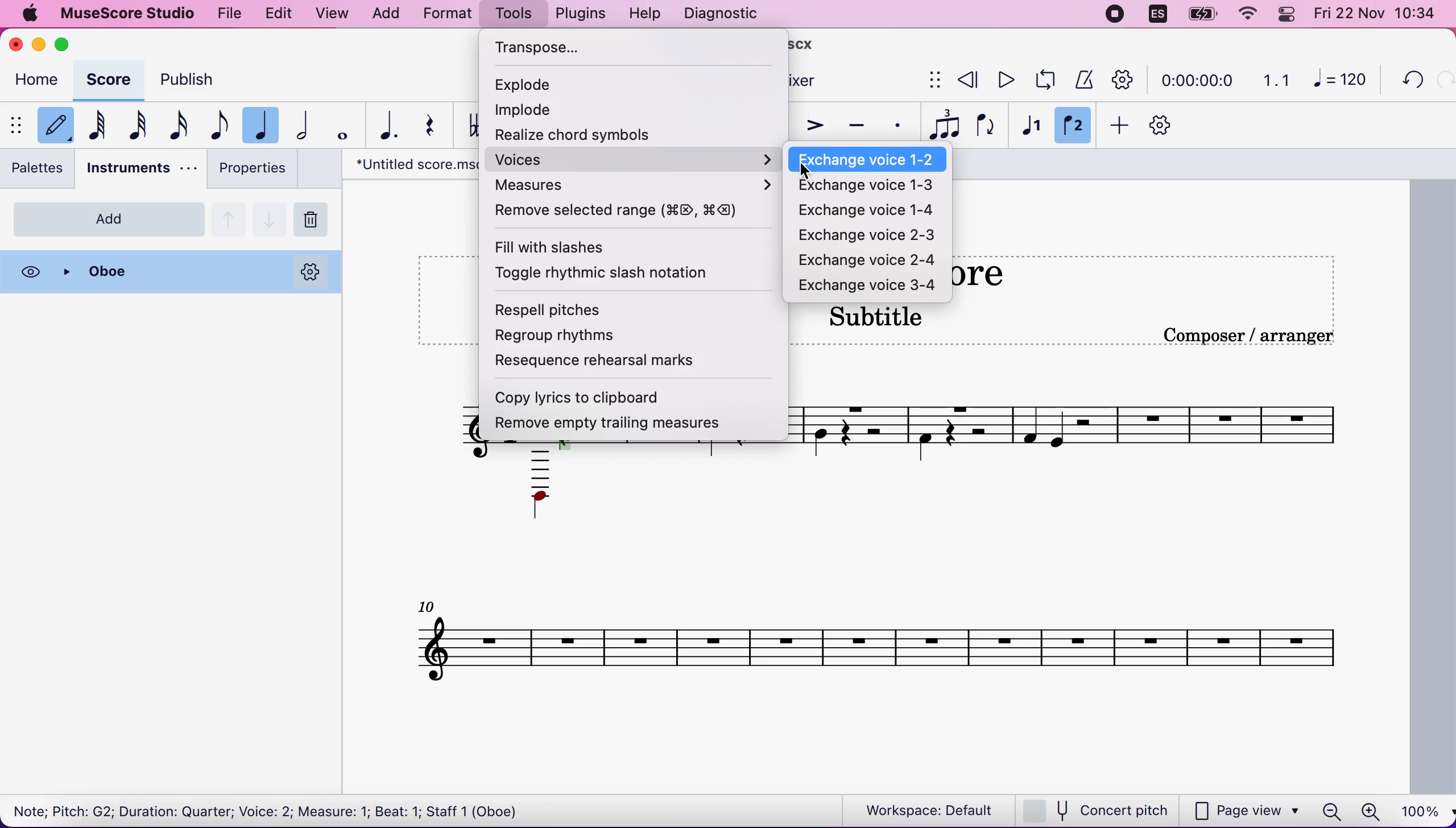  I want to click on add, so click(108, 220).